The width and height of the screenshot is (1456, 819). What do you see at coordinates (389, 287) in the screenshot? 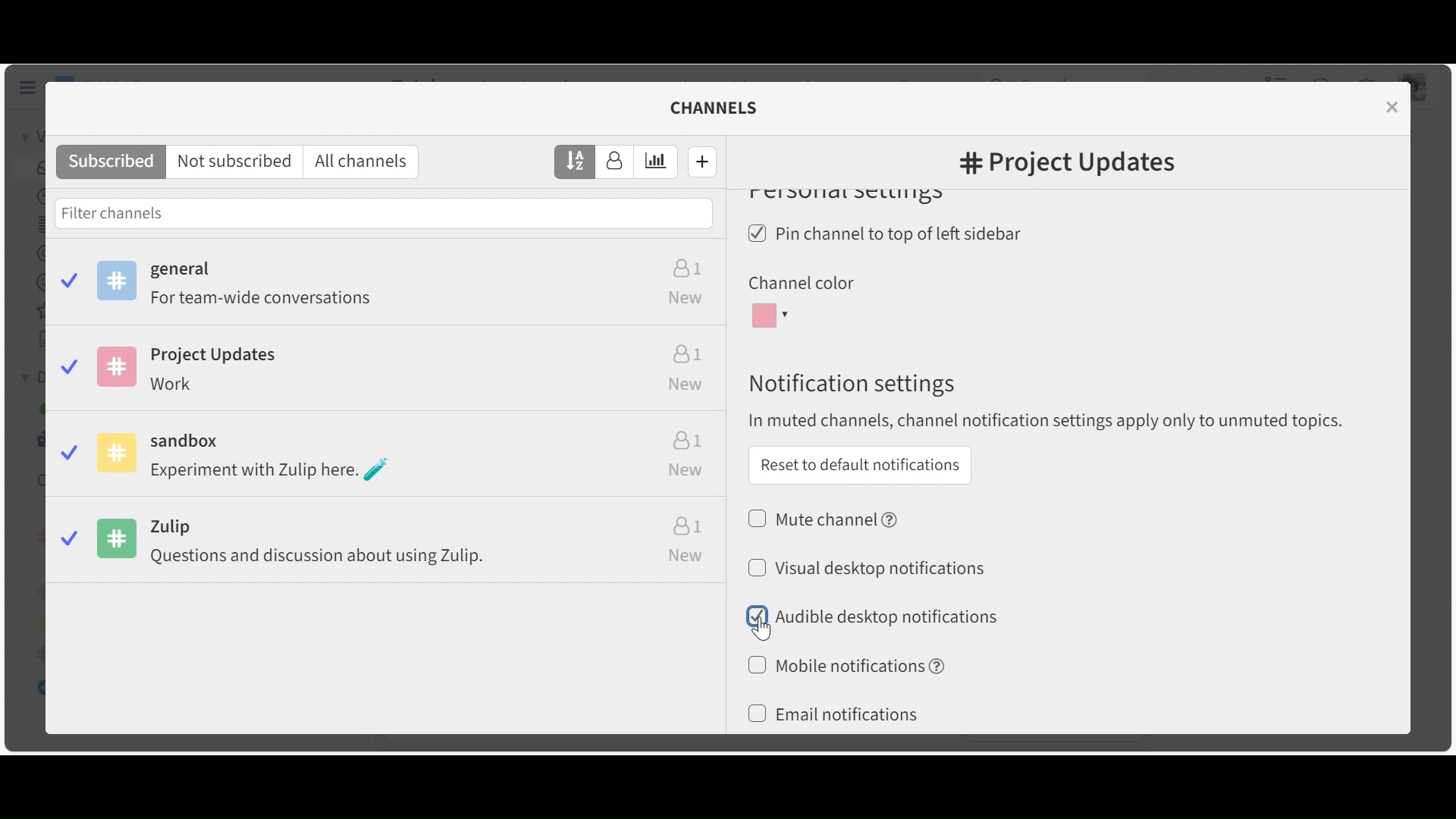
I see `Subscribed channels` at bounding box center [389, 287].